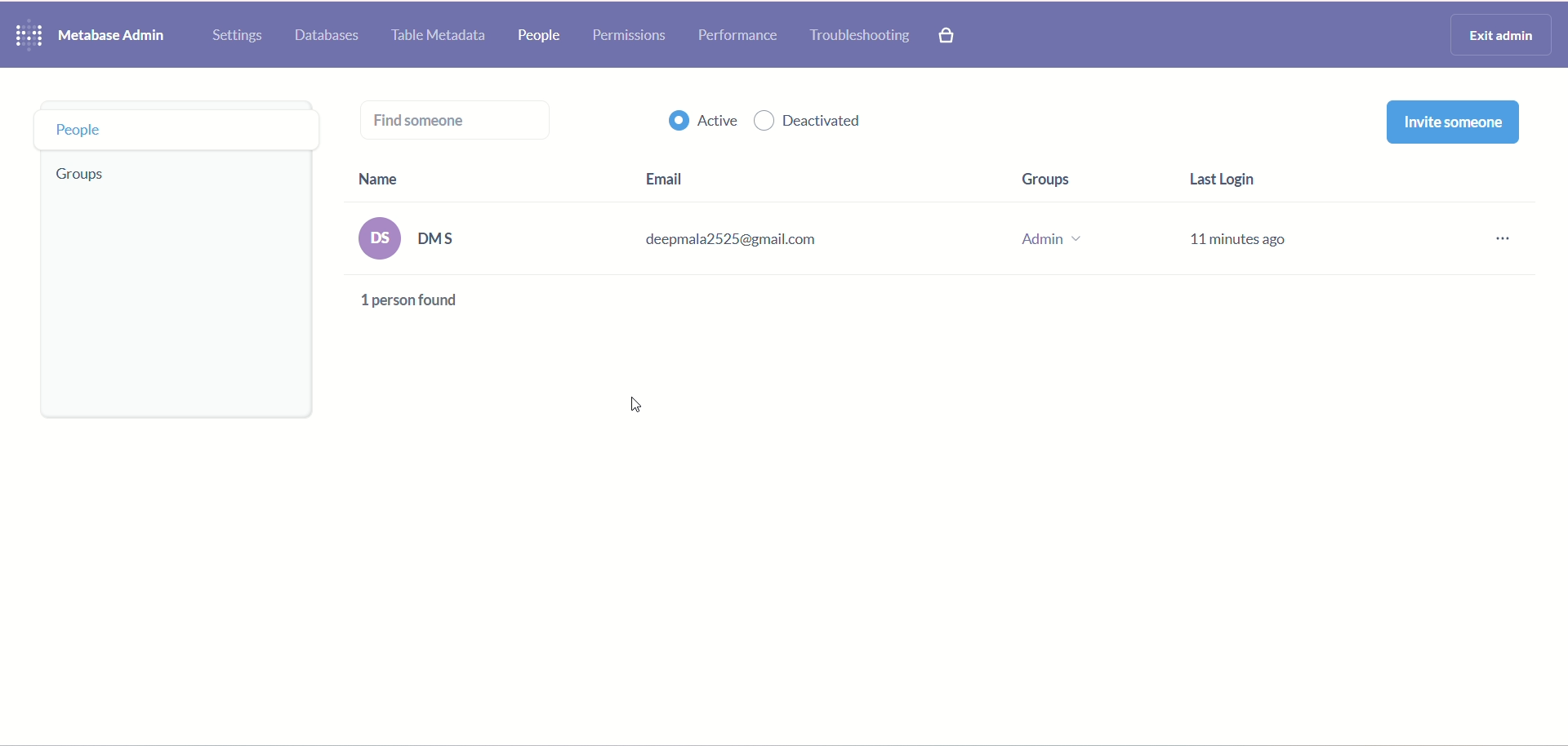 This screenshot has width=1568, height=746. I want to click on performances, so click(739, 36).